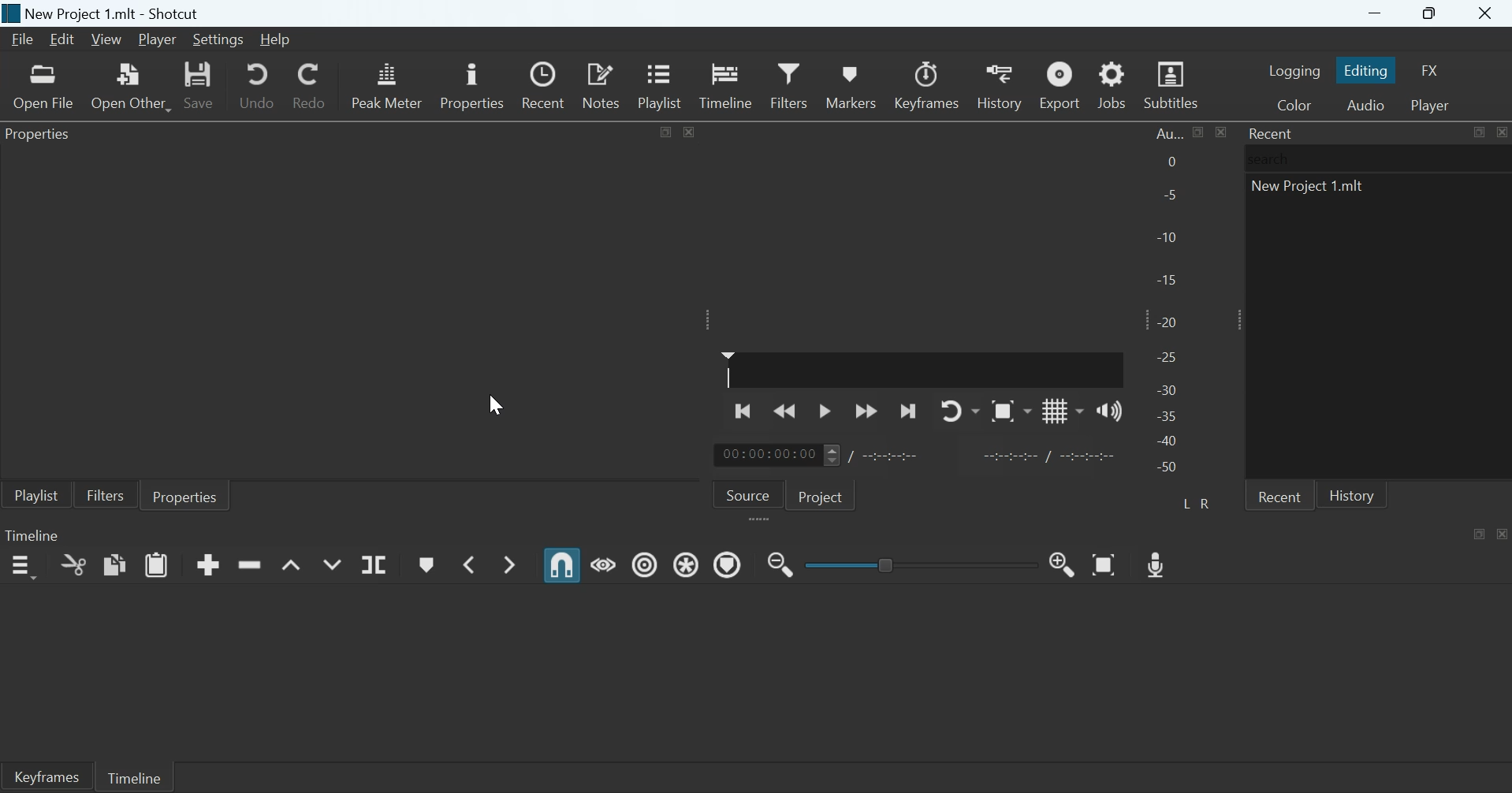  What do you see at coordinates (208, 564) in the screenshot?
I see `Append` at bounding box center [208, 564].